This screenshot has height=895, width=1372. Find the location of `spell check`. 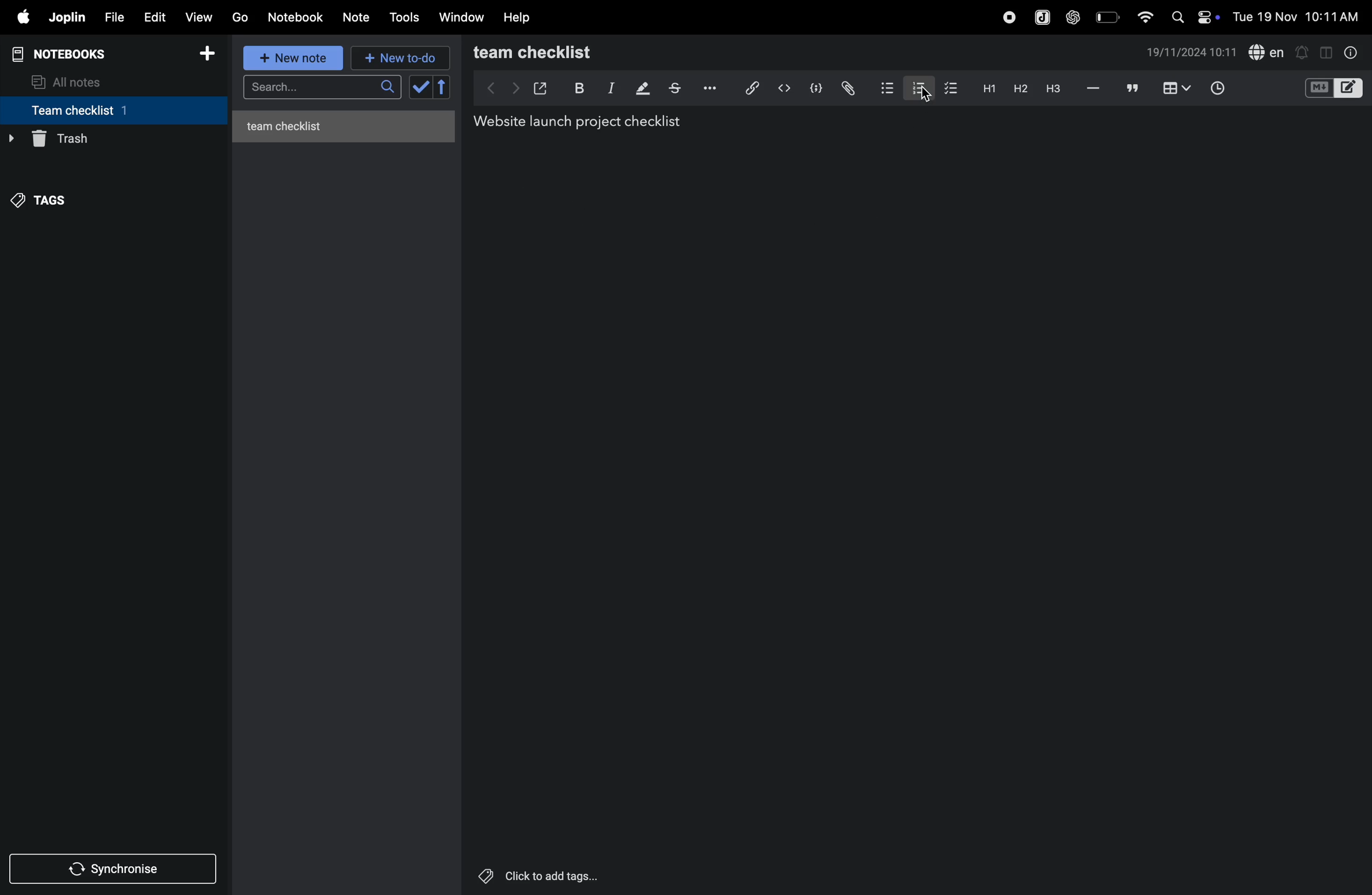

spell check is located at coordinates (1268, 52).